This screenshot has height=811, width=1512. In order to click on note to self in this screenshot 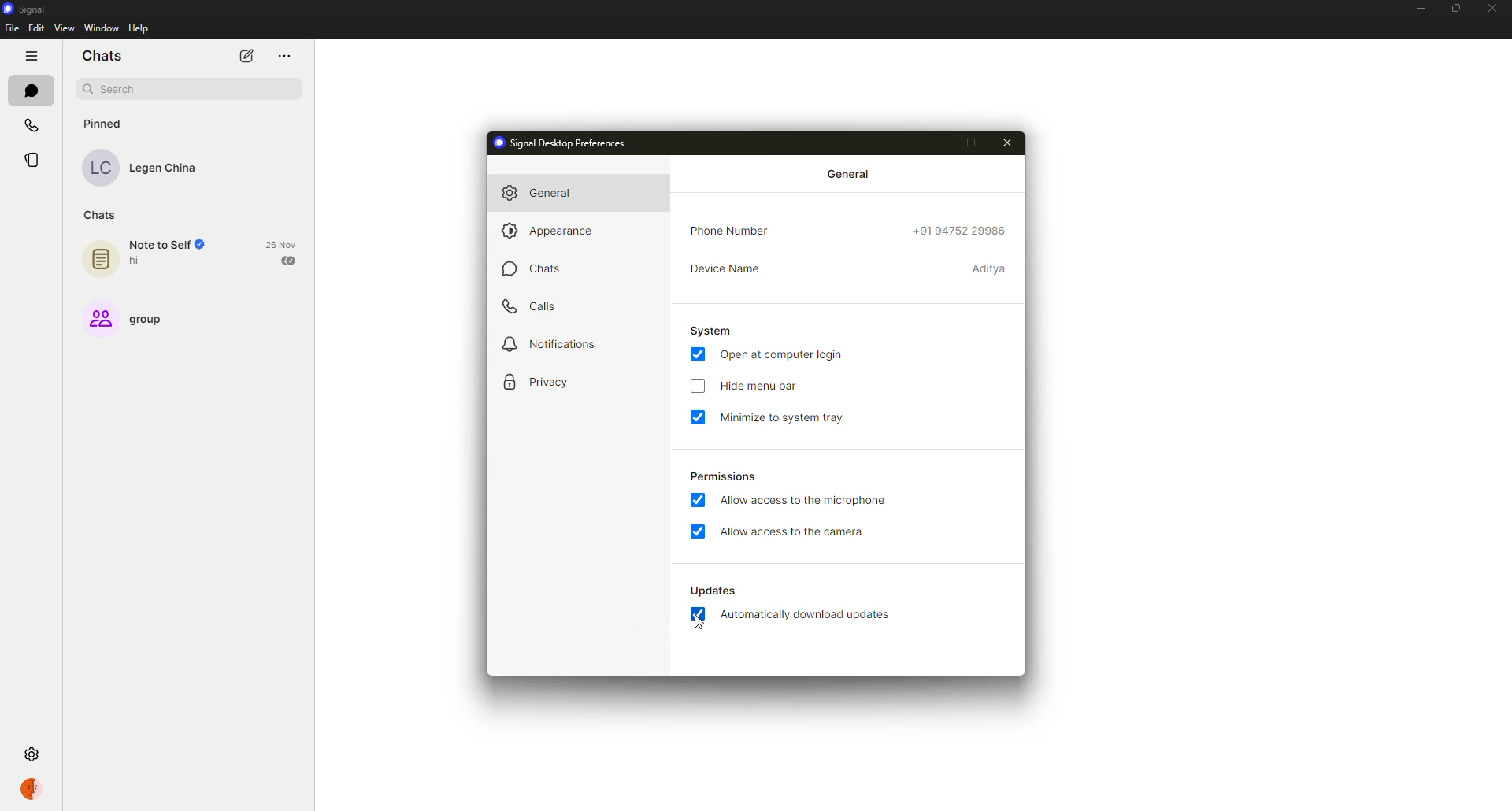, I will do `click(151, 255)`.